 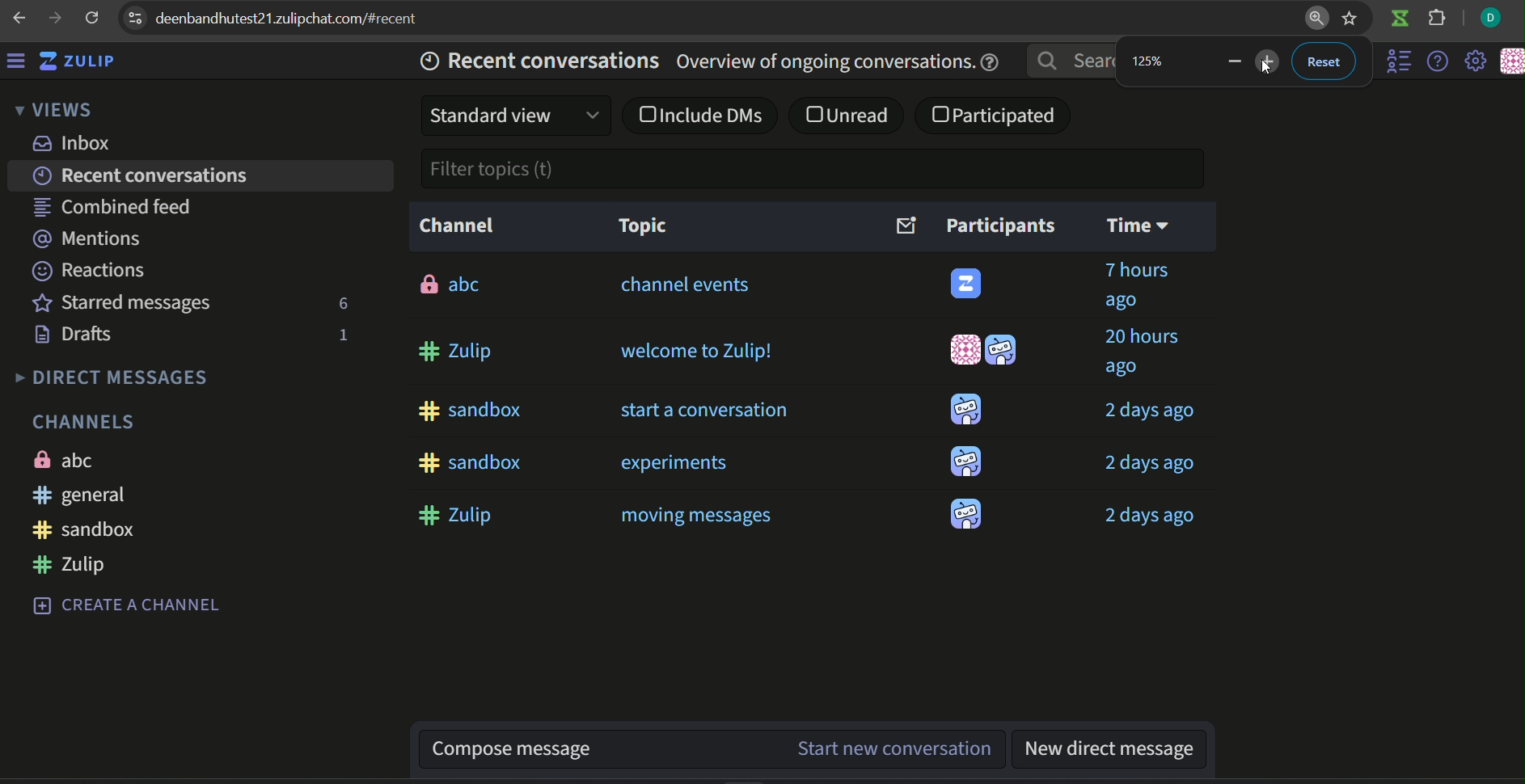 I want to click on channel events, so click(x=688, y=289).